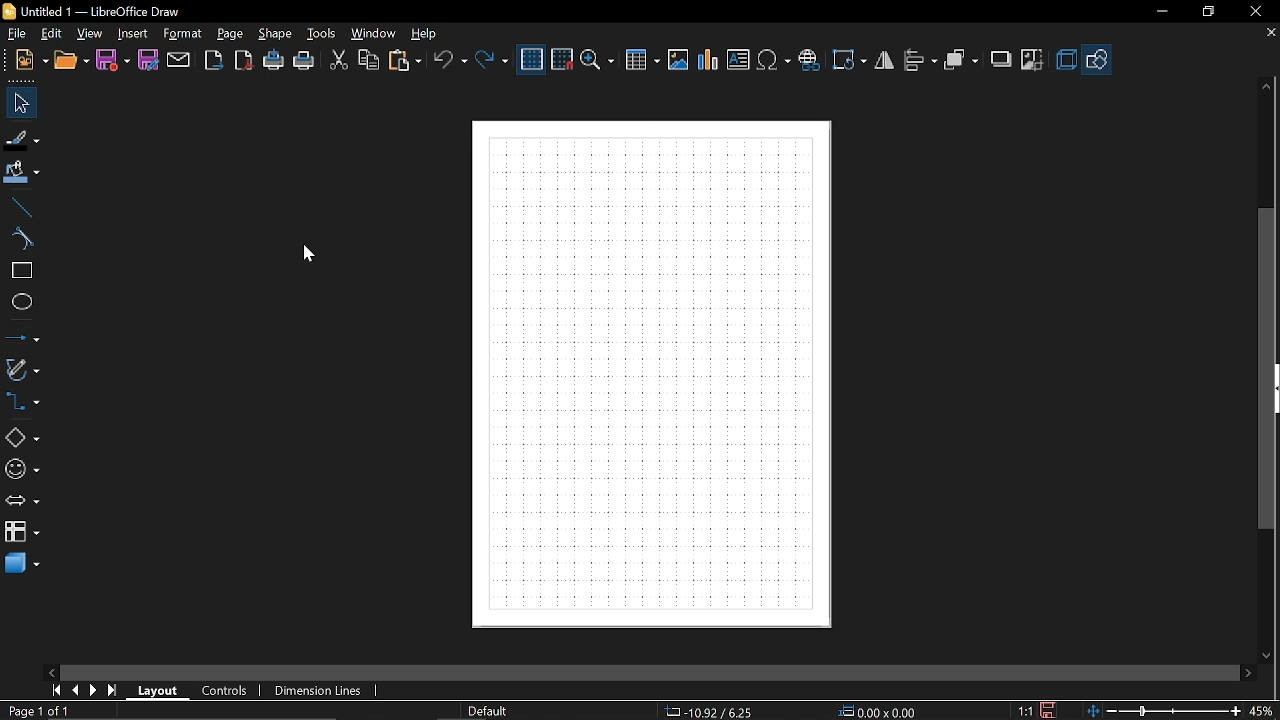 The image size is (1280, 720). What do you see at coordinates (1269, 34) in the screenshot?
I see `close tab` at bounding box center [1269, 34].